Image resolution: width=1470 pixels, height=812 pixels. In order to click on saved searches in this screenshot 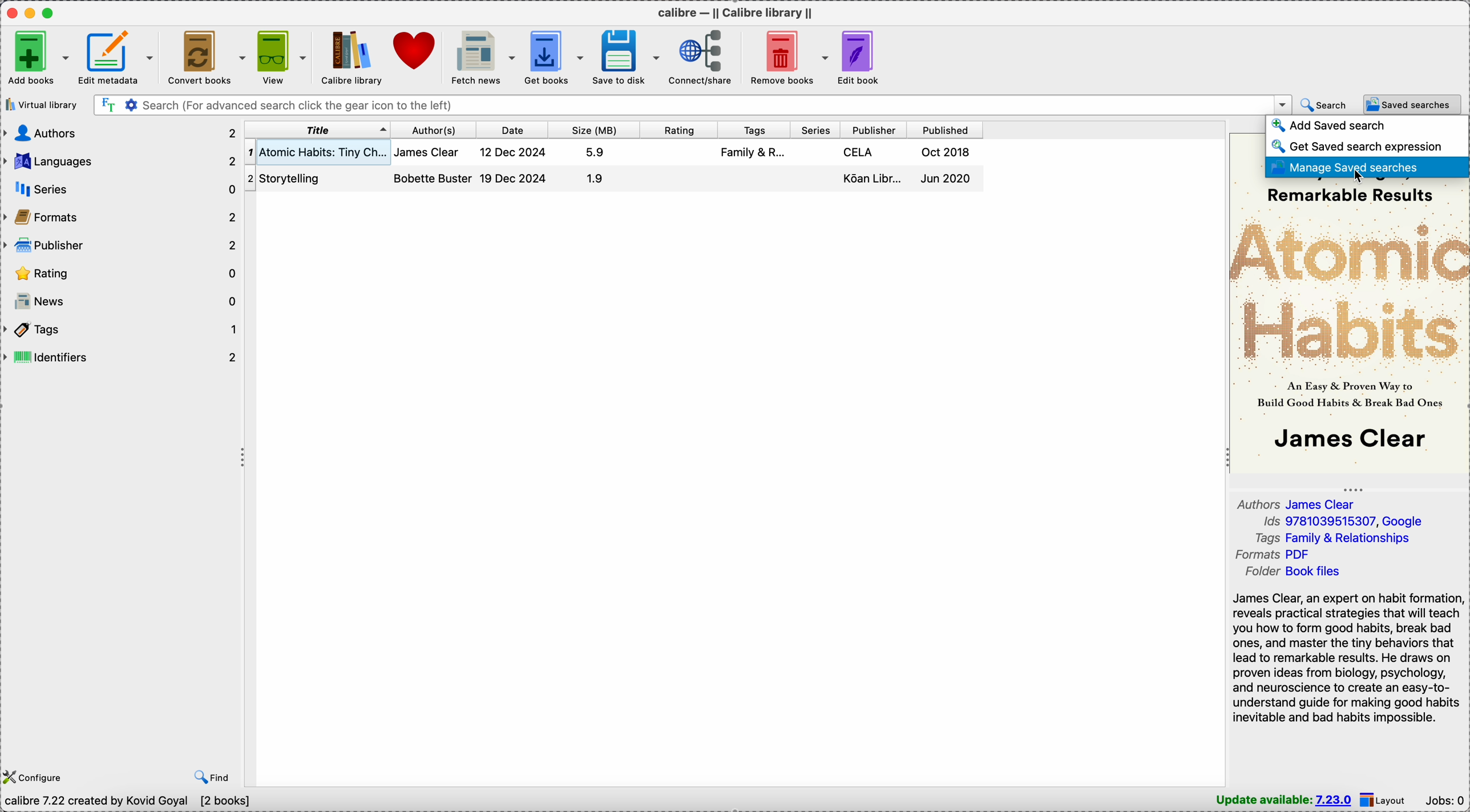, I will do `click(1412, 105)`.